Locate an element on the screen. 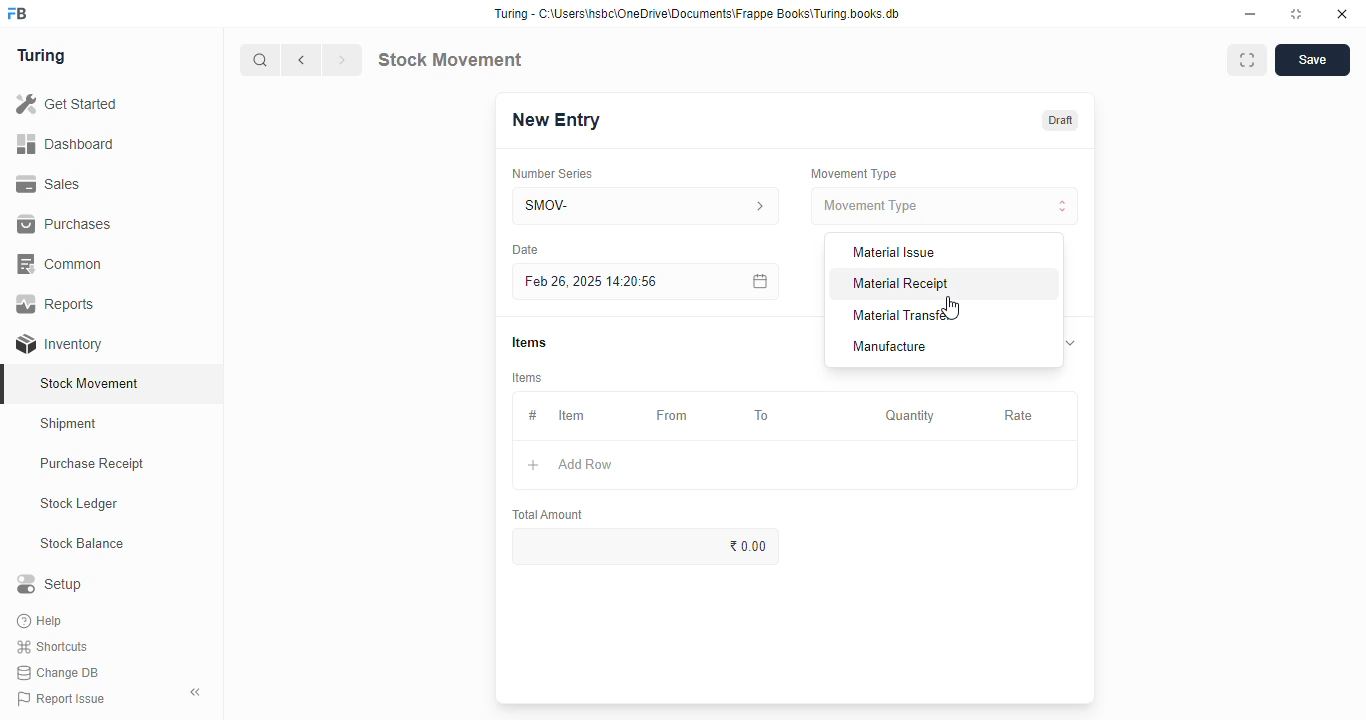 The width and height of the screenshot is (1366, 720). rate is located at coordinates (1019, 416).